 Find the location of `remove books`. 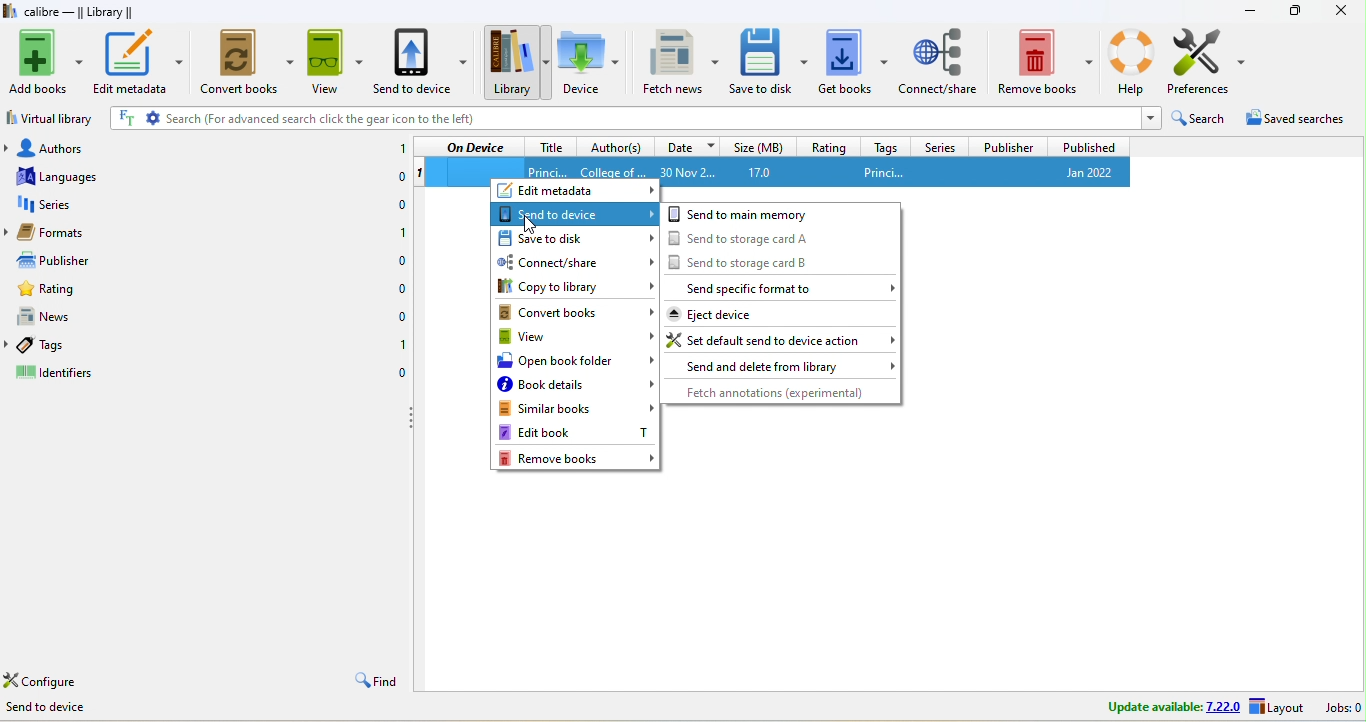

remove books is located at coordinates (578, 458).